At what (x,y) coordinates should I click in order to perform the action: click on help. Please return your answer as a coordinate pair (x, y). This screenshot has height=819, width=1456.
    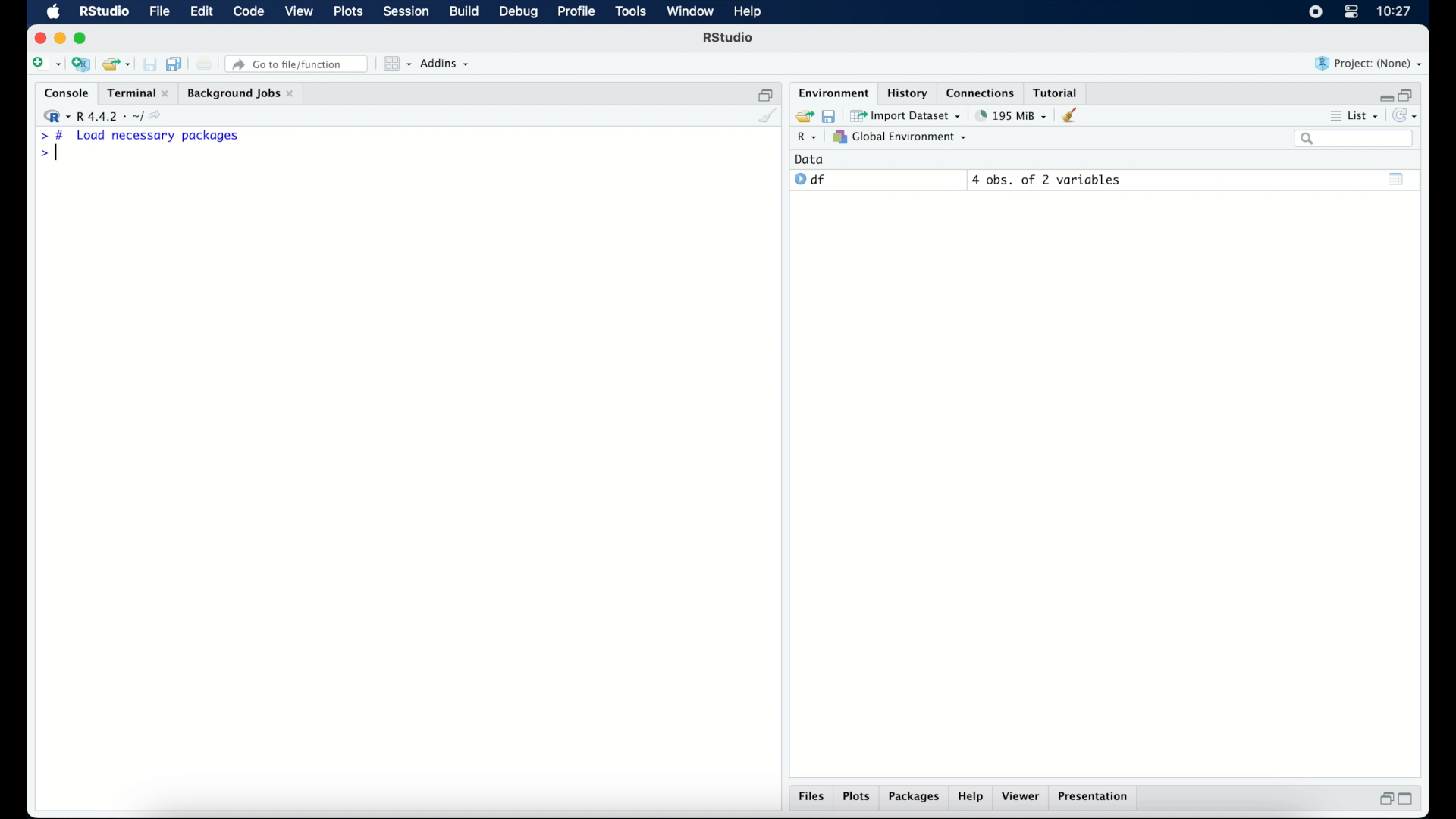
    Looking at the image, I should click on (971, 799).